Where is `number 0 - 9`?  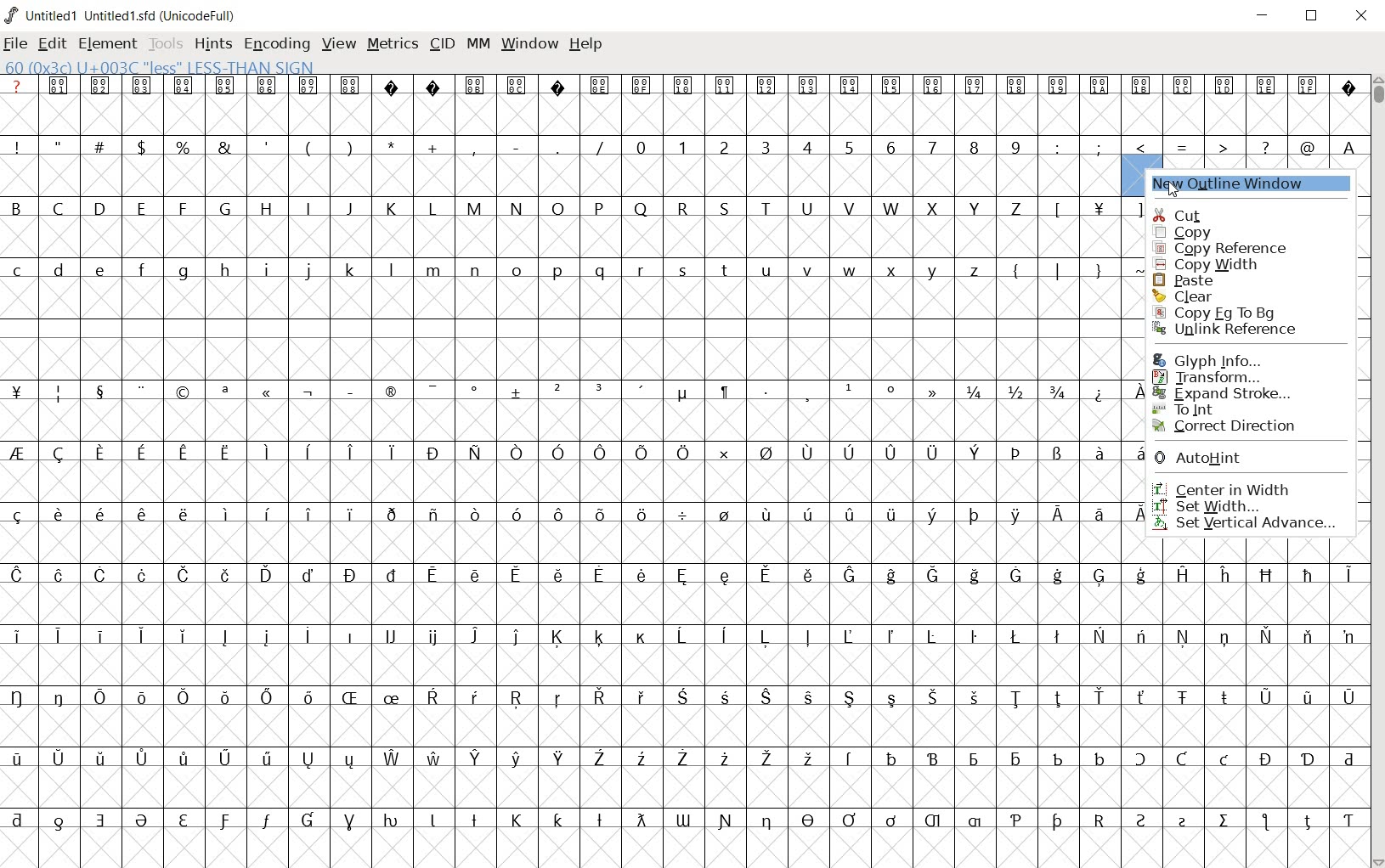
number 0 - 9 is located at coordinates (828, 147).